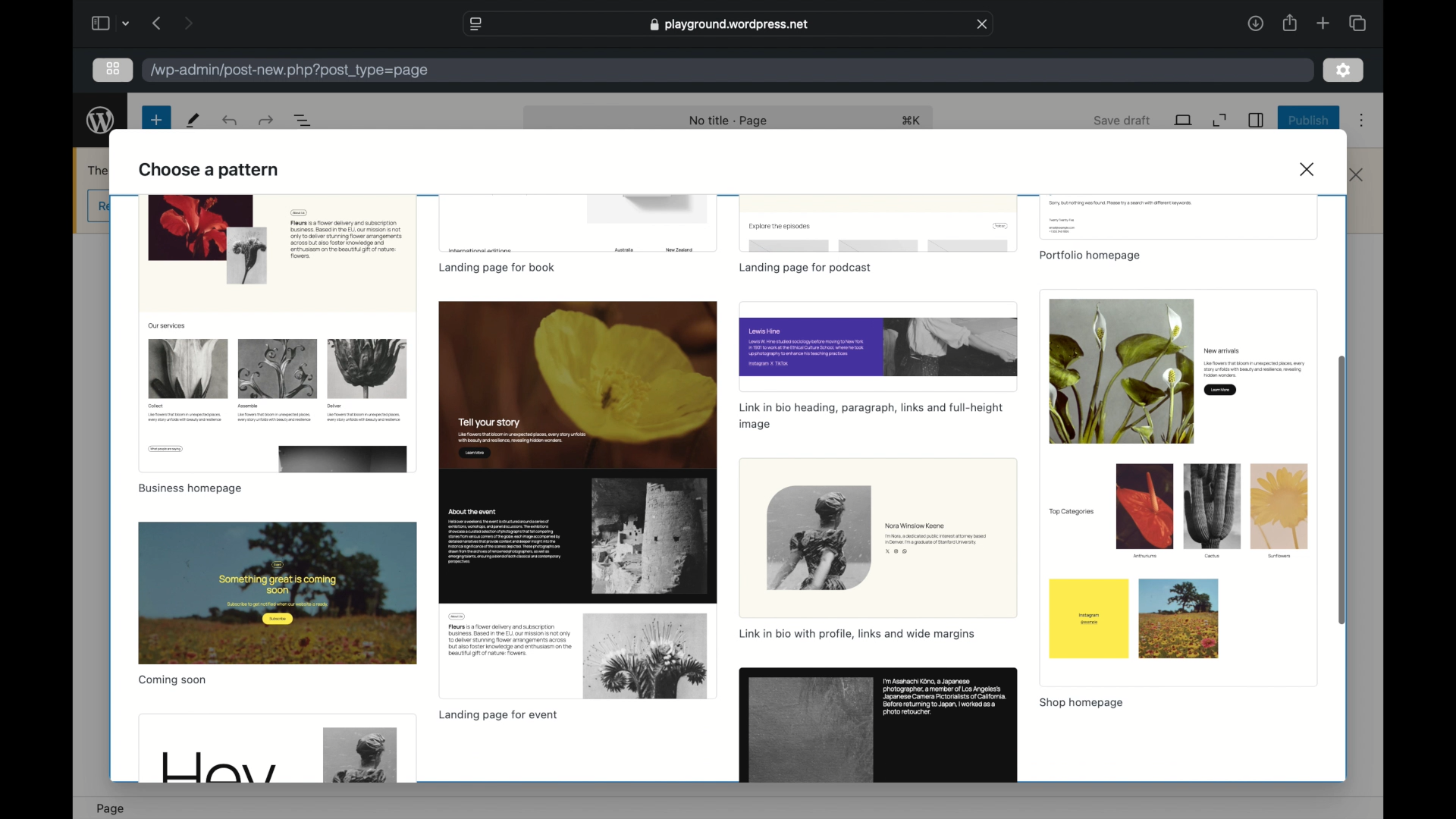 The width and height of the screenshot is (1456, 819). What do you see at coordinates (99, 23) in the screenshot?
I see `sidebar` at bounding box center [99, 23].